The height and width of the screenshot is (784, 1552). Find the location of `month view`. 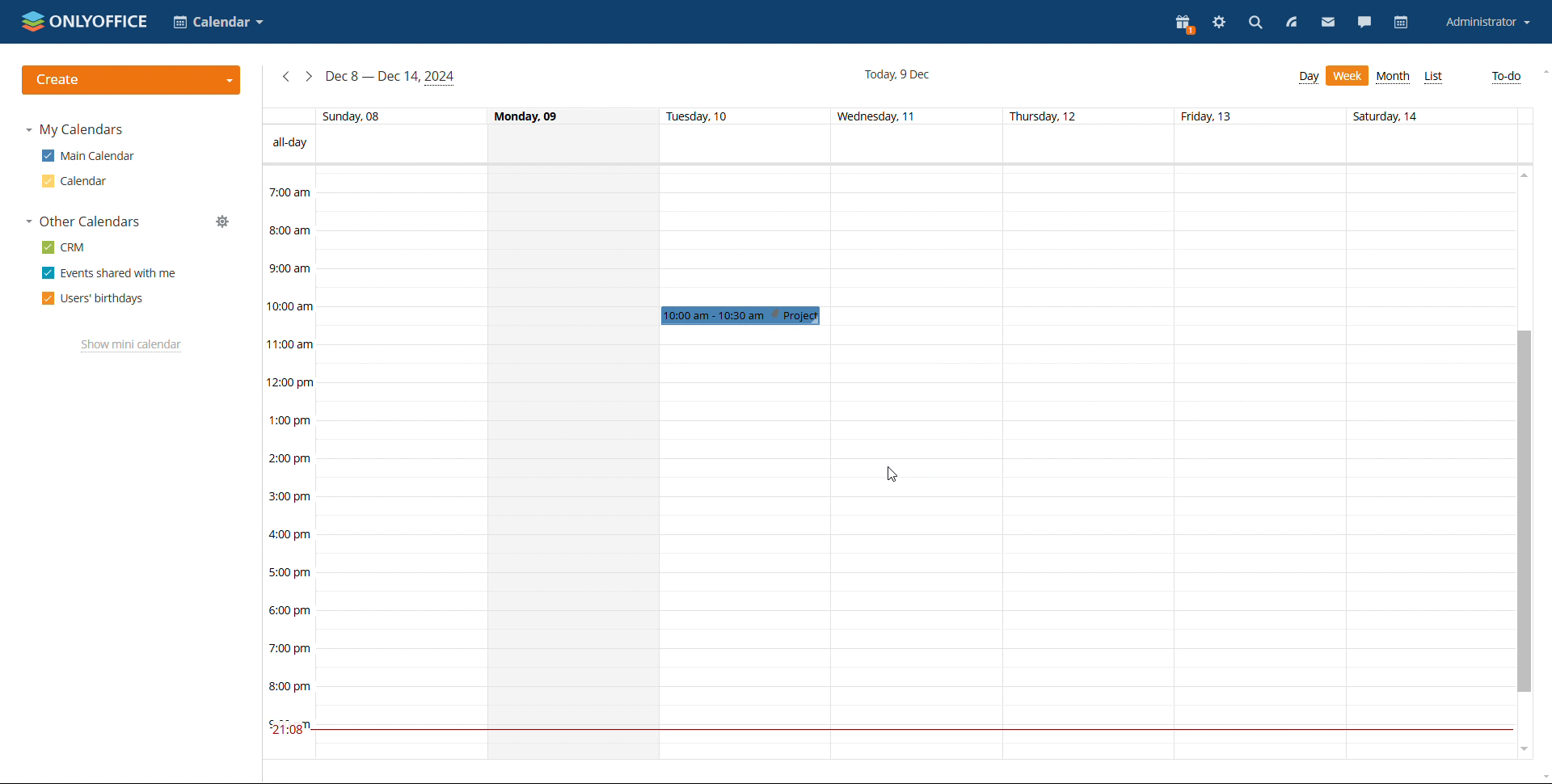

month view is located at coordinates (1395, 78).